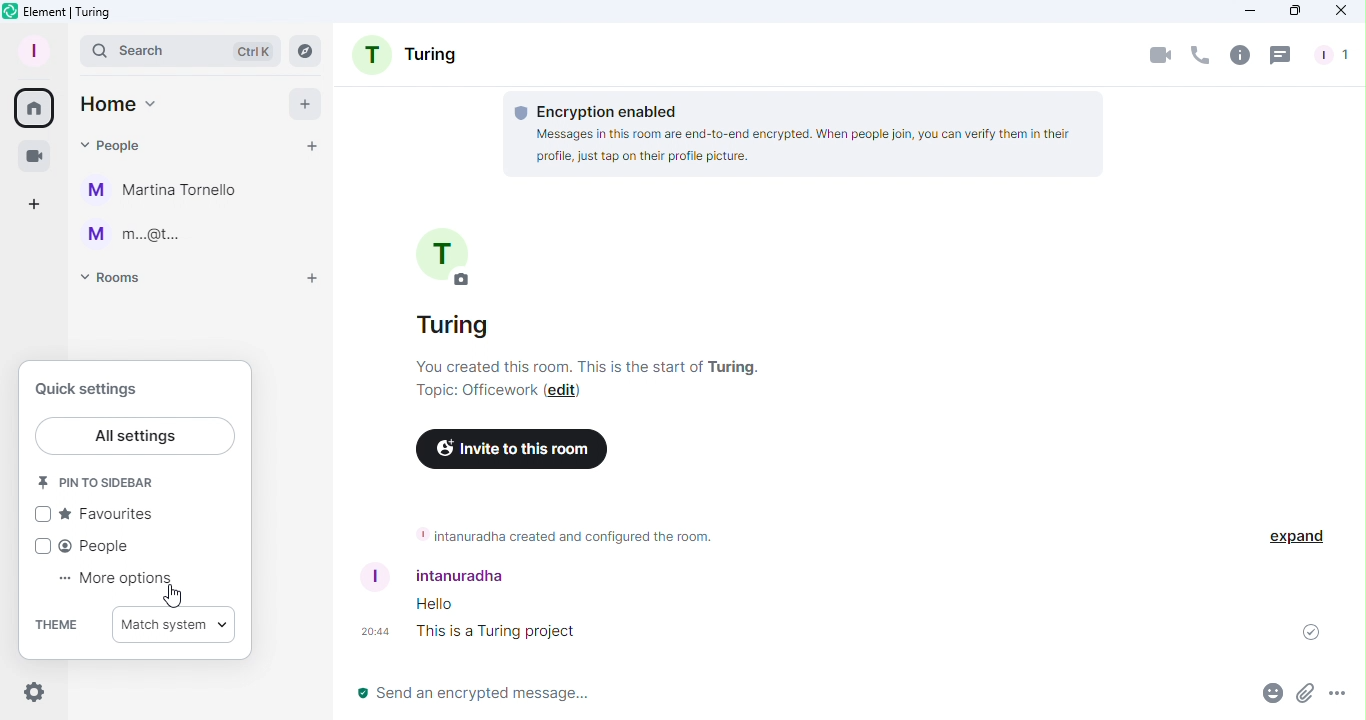 The image size is (1366, 720). What do you see at coordinates (451, 283) in the screenshot?
I see `Room name` at bounding box center [451, 283].